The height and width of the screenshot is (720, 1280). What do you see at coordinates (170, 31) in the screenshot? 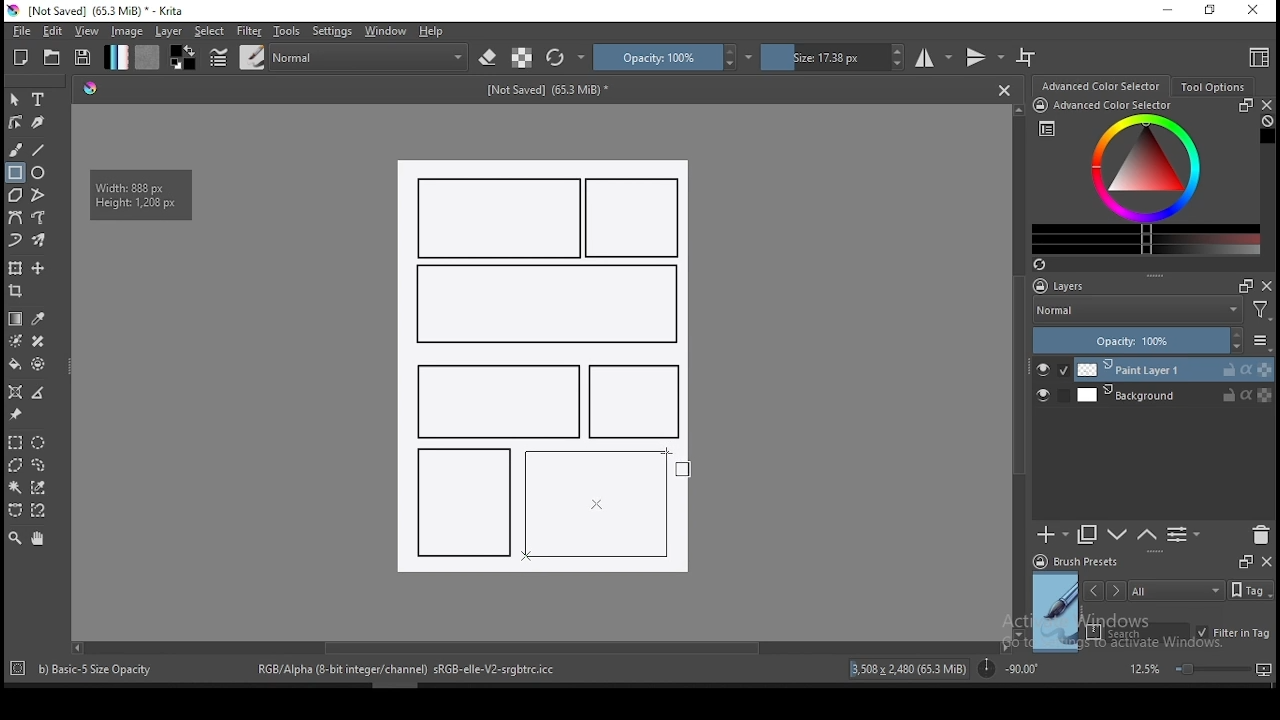
I see `layer` at bounding box center [170, 31].